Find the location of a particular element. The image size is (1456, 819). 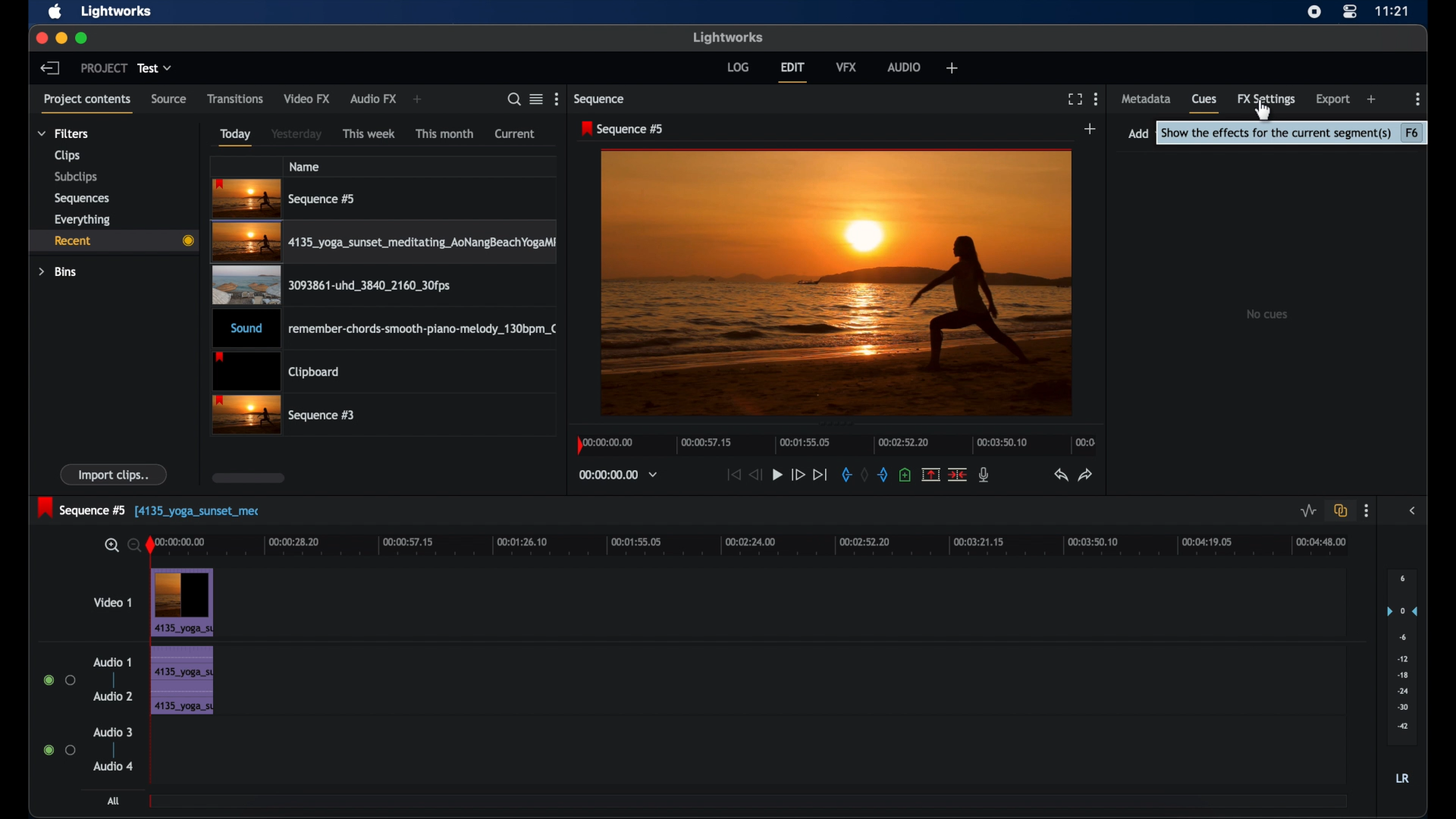

toggle list or tile view is located at coordinates (536, 99).